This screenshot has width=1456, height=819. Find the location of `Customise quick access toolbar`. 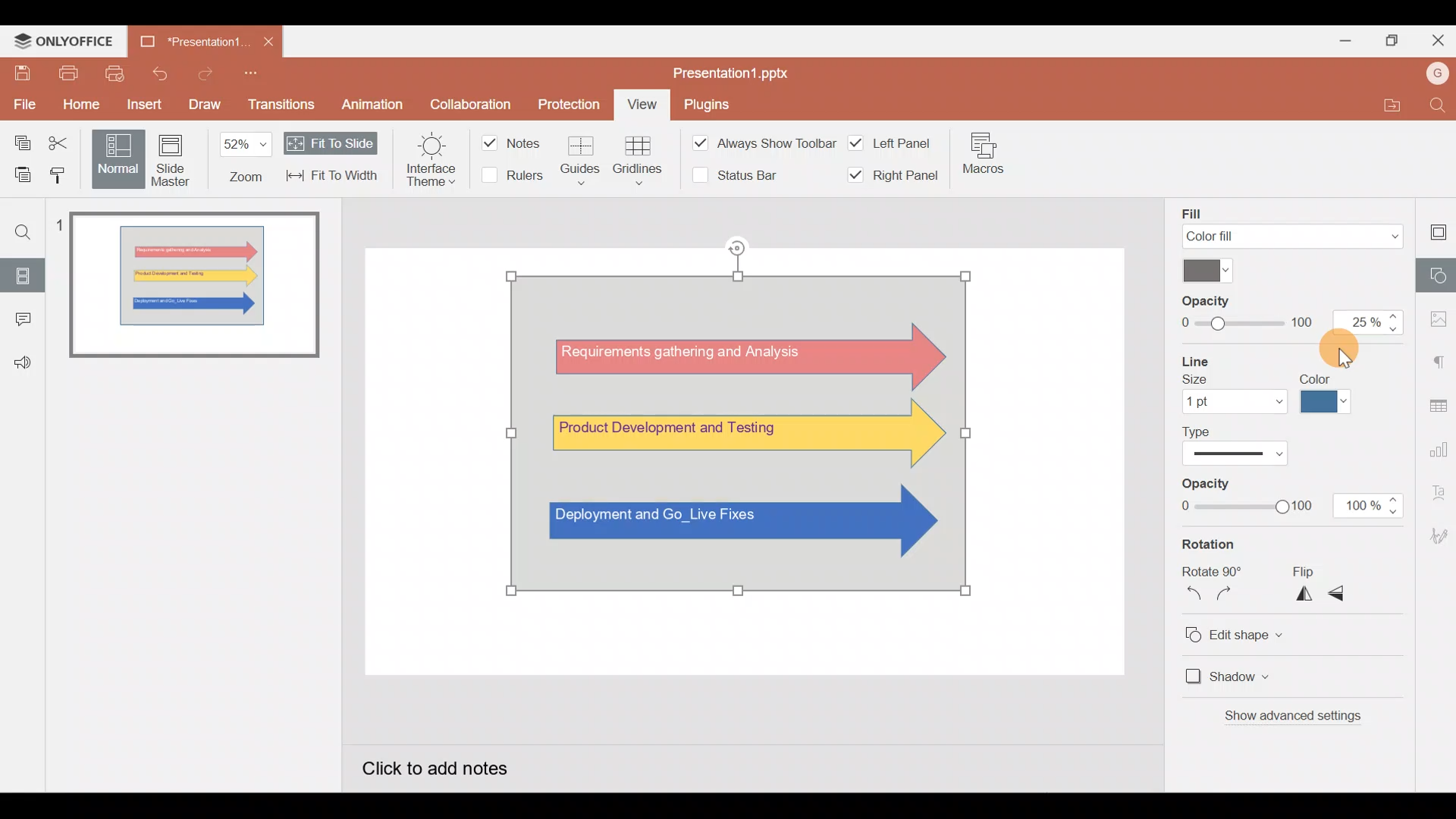

Customise quick access toolbar is located at coordinates (251, 73).